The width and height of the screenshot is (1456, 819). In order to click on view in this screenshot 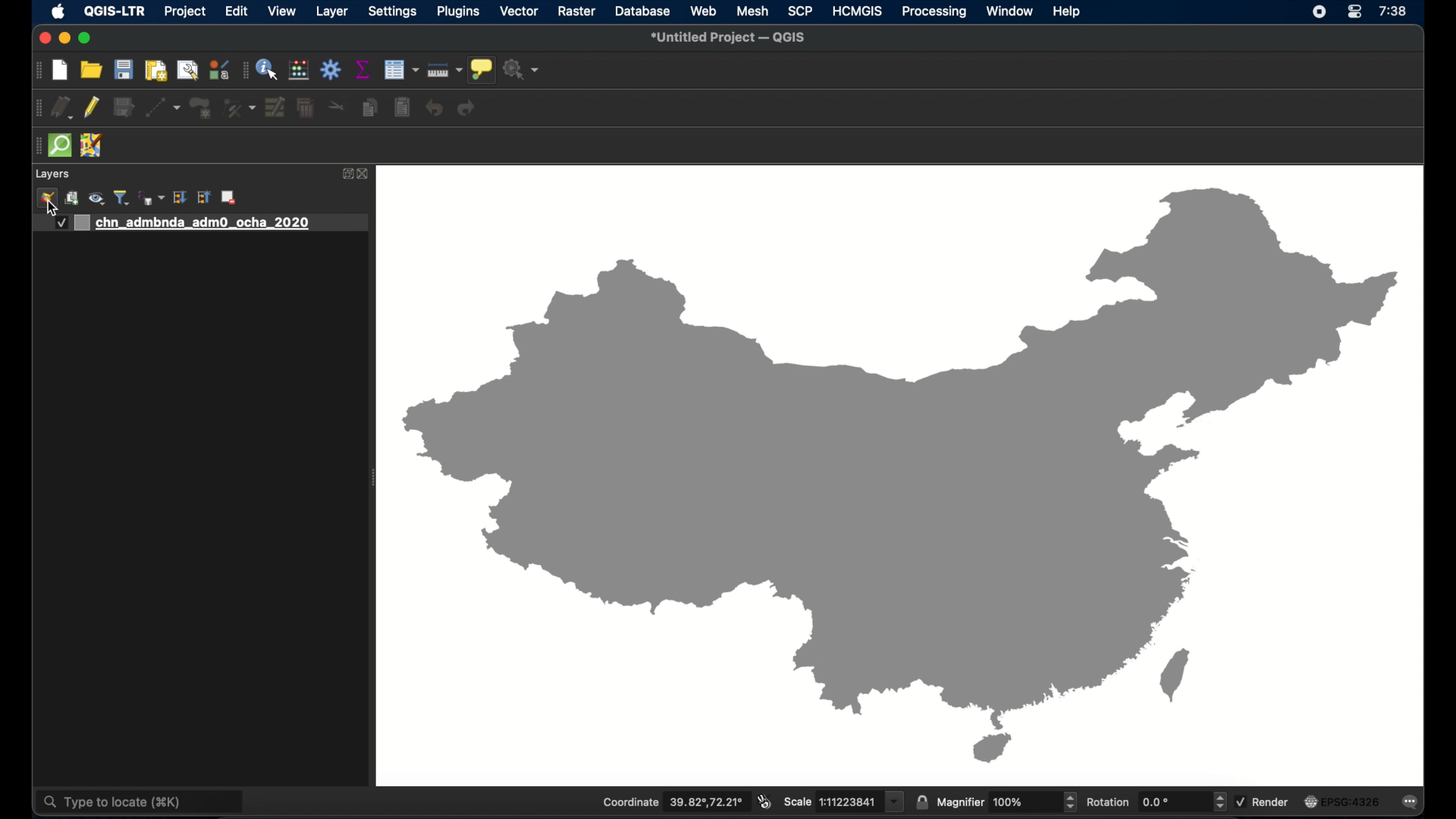, I will do `click(282, 11)`.